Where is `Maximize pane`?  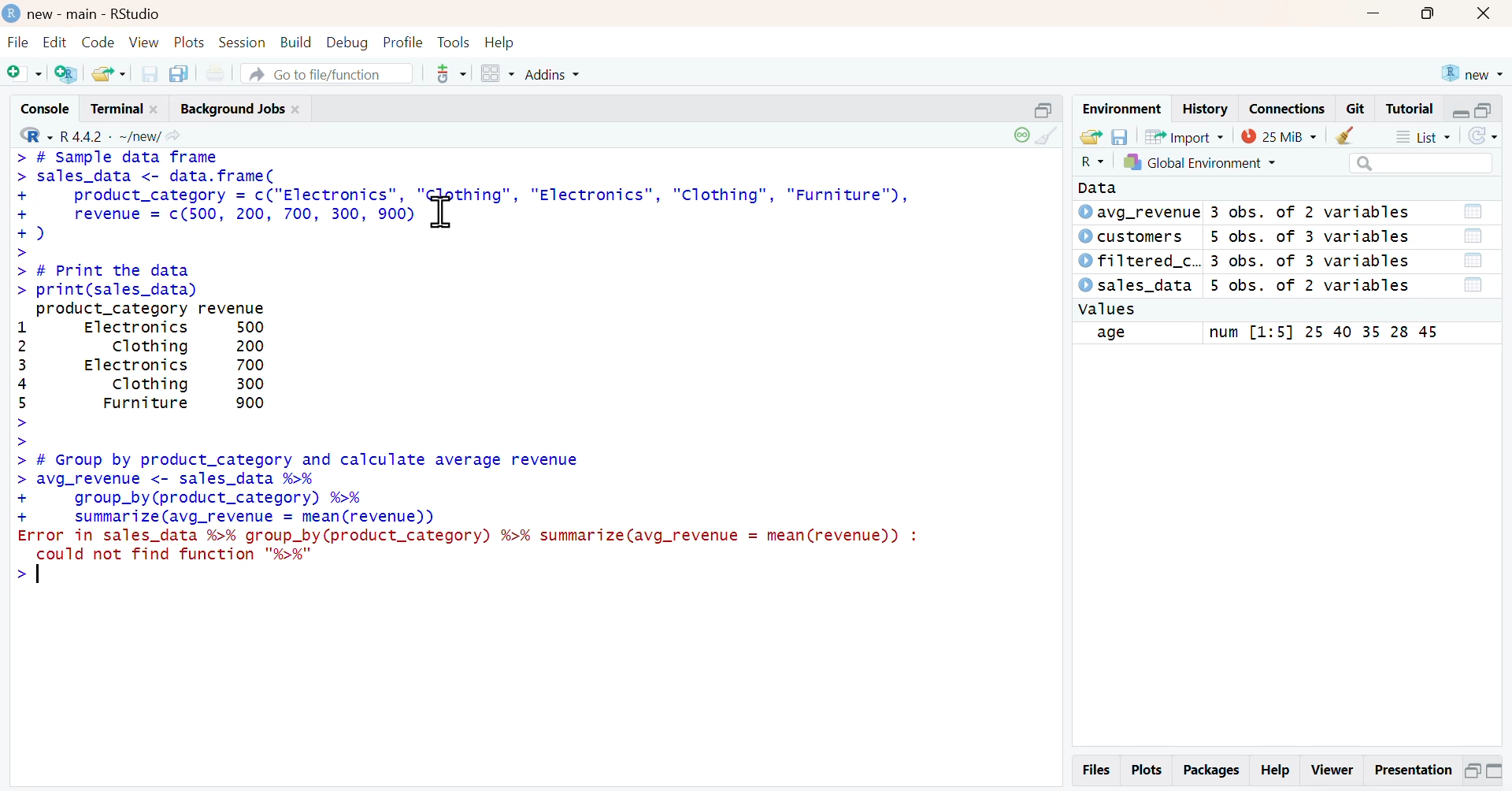 Maximize pane is located at coordinates (1495, 773).